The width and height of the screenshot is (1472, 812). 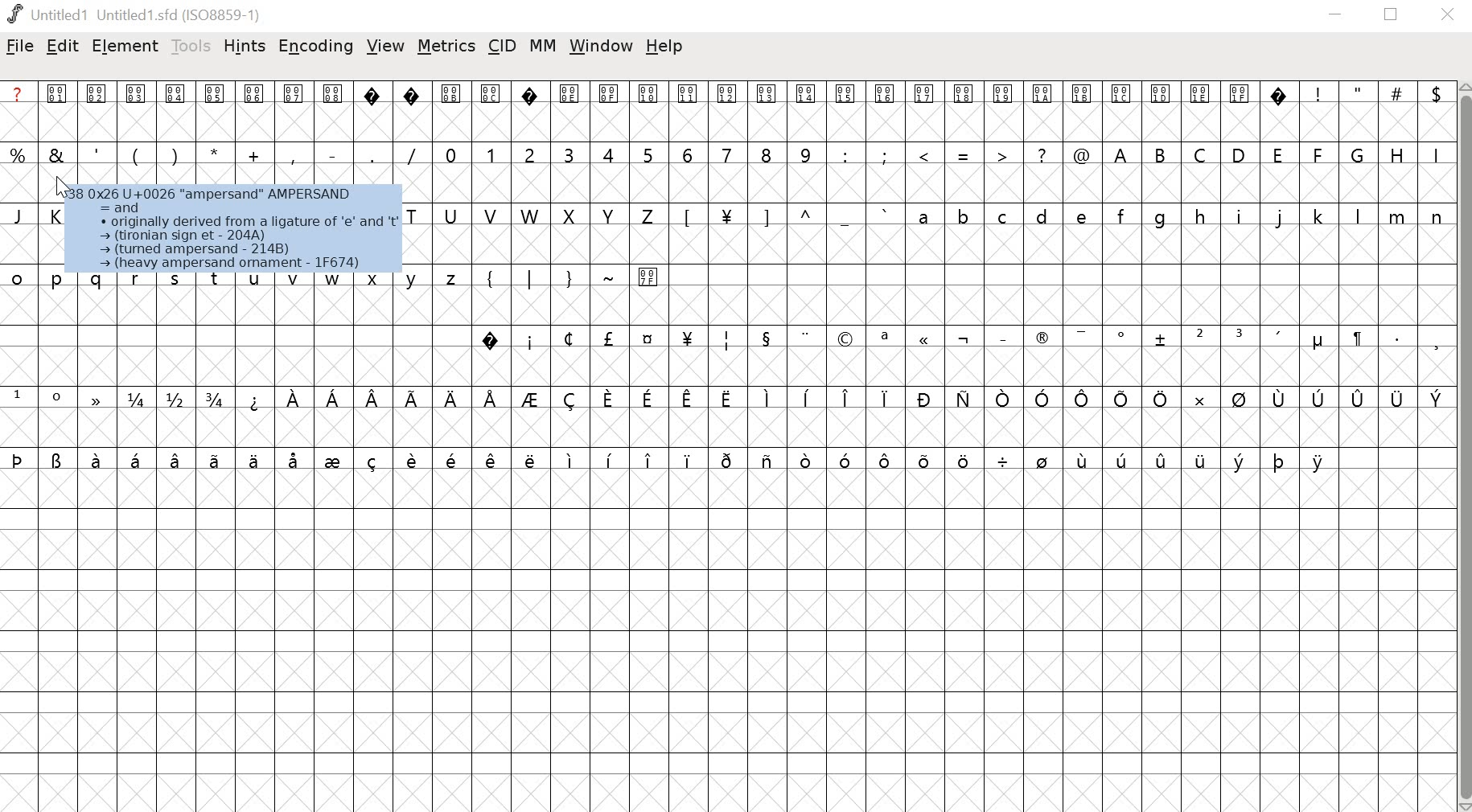 I want to click on x, so click(x=377, y=279).